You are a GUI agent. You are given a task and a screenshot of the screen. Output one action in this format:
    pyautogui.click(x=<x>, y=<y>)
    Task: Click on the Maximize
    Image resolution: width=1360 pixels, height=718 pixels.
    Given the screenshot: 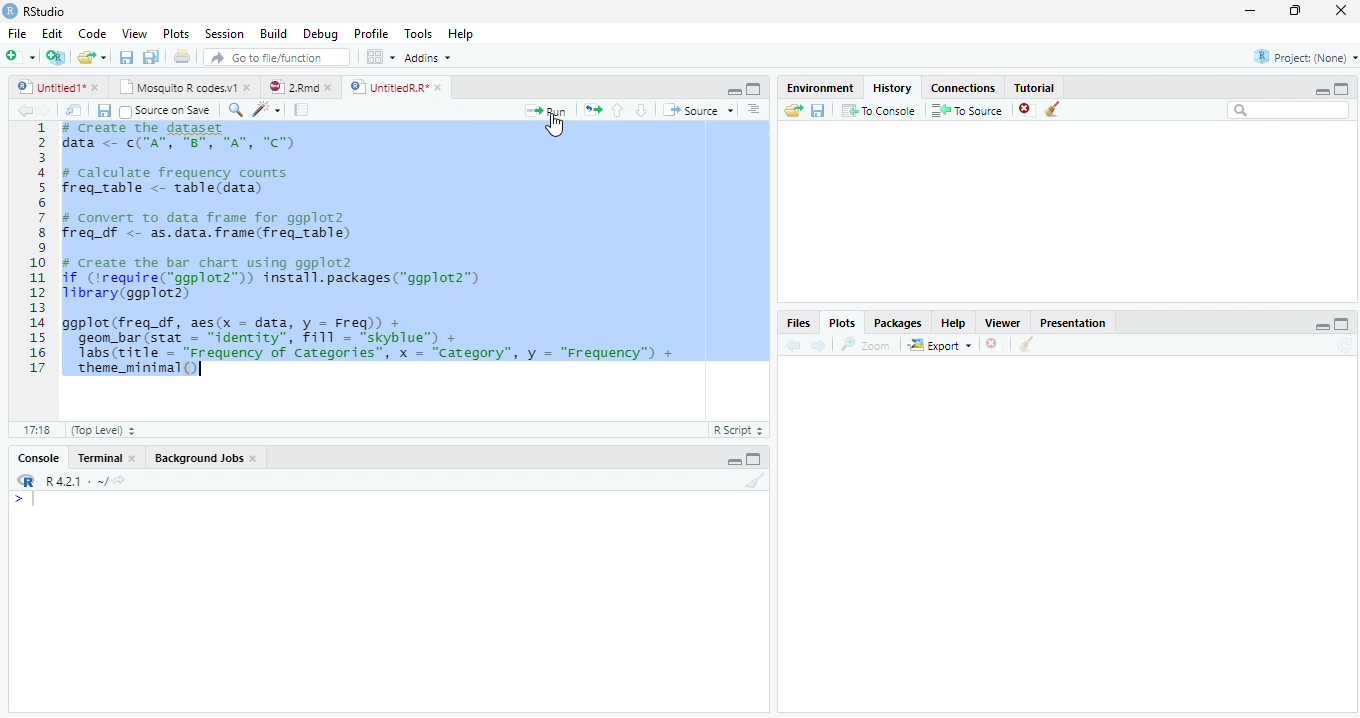 What is the action you would take?
    pyautogui.click(x=1297, y=13)
    